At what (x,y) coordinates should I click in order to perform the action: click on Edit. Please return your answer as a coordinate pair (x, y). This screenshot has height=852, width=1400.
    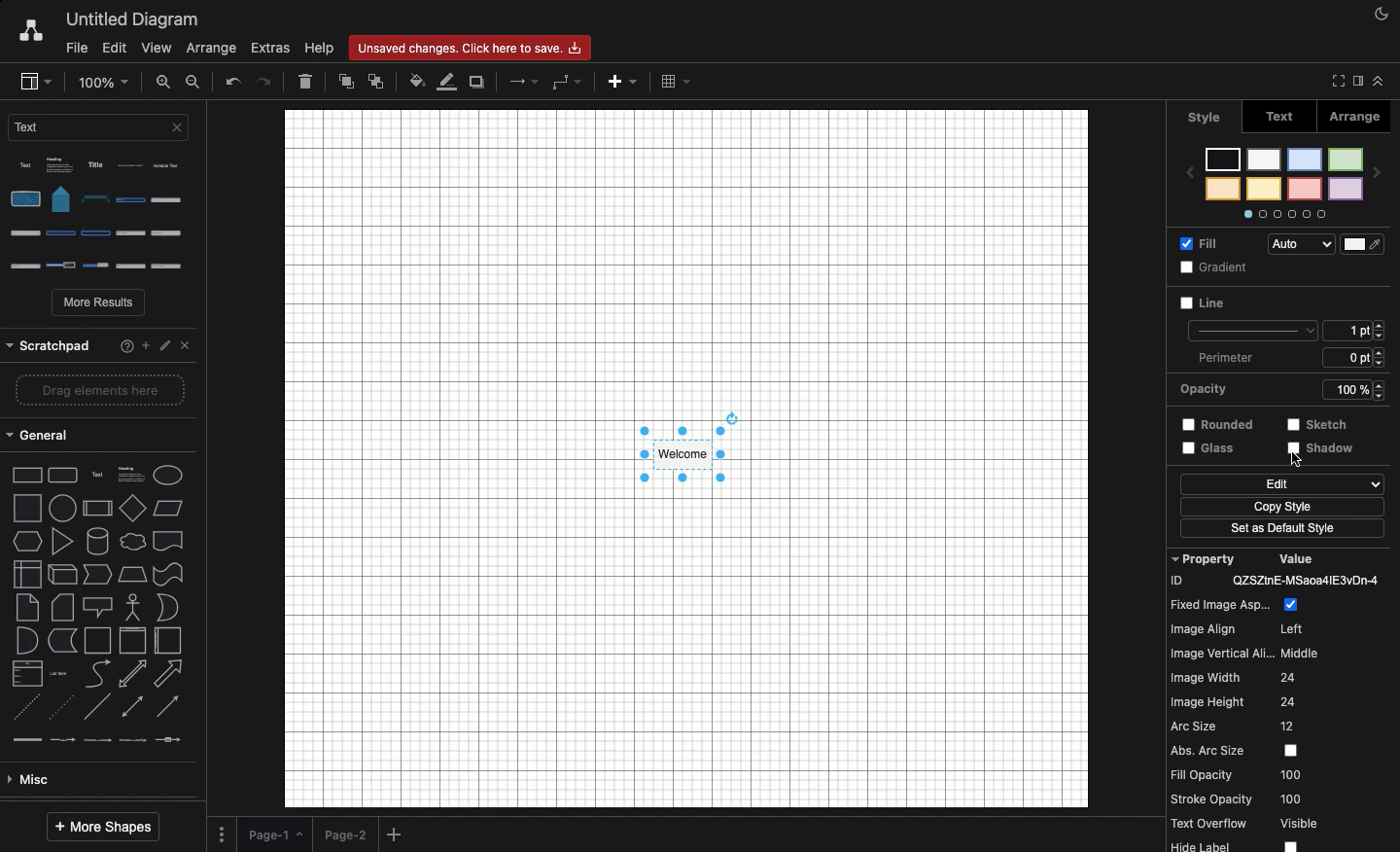
    Looking at the image, I should click on (1207, 450).